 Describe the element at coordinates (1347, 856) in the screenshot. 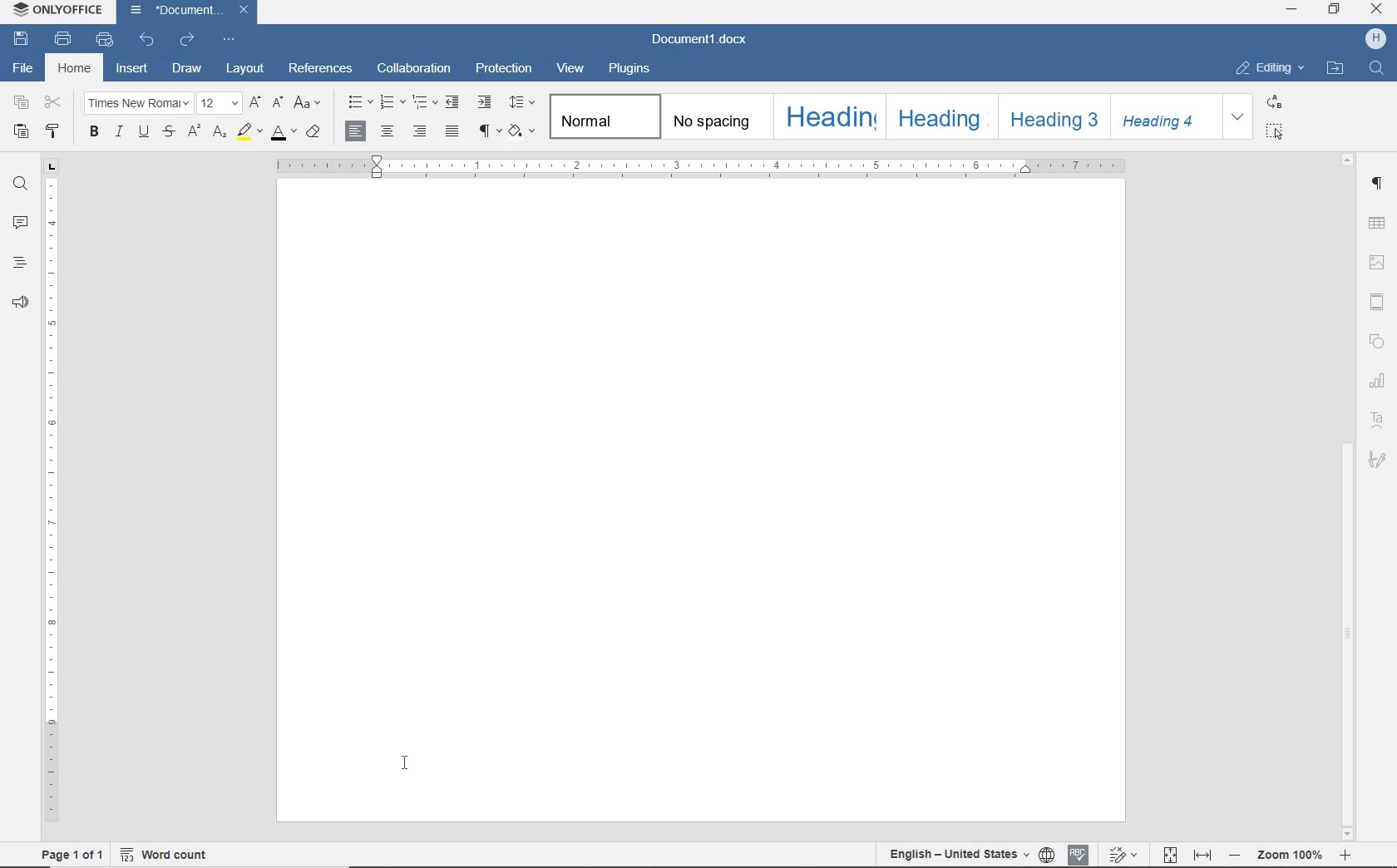

I see `zoom in` at that location.